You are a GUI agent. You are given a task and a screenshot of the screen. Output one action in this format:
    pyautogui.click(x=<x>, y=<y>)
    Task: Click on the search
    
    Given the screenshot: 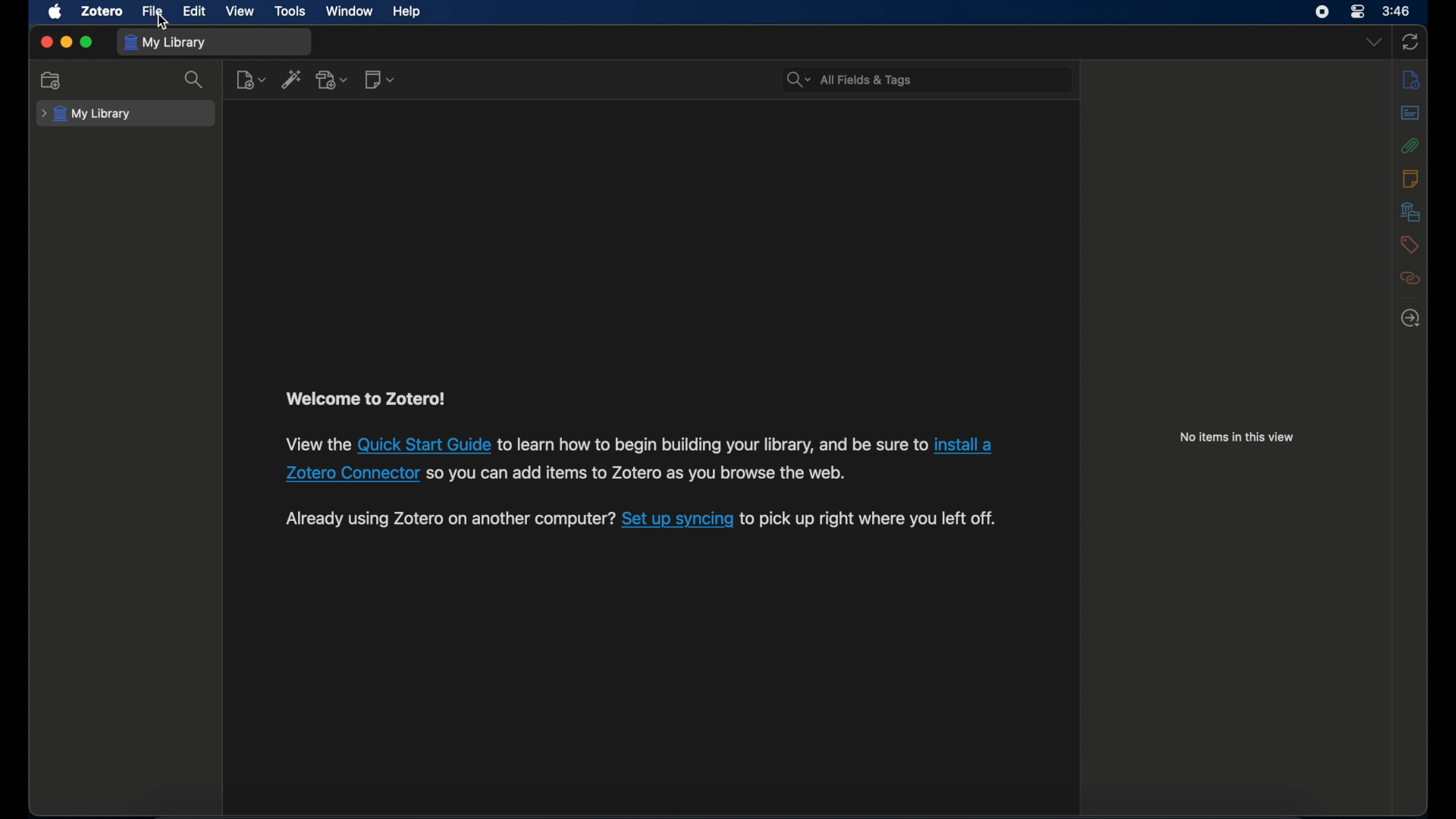 What is the action you would take?
    pyautogui.click(x=194, y=79)
    